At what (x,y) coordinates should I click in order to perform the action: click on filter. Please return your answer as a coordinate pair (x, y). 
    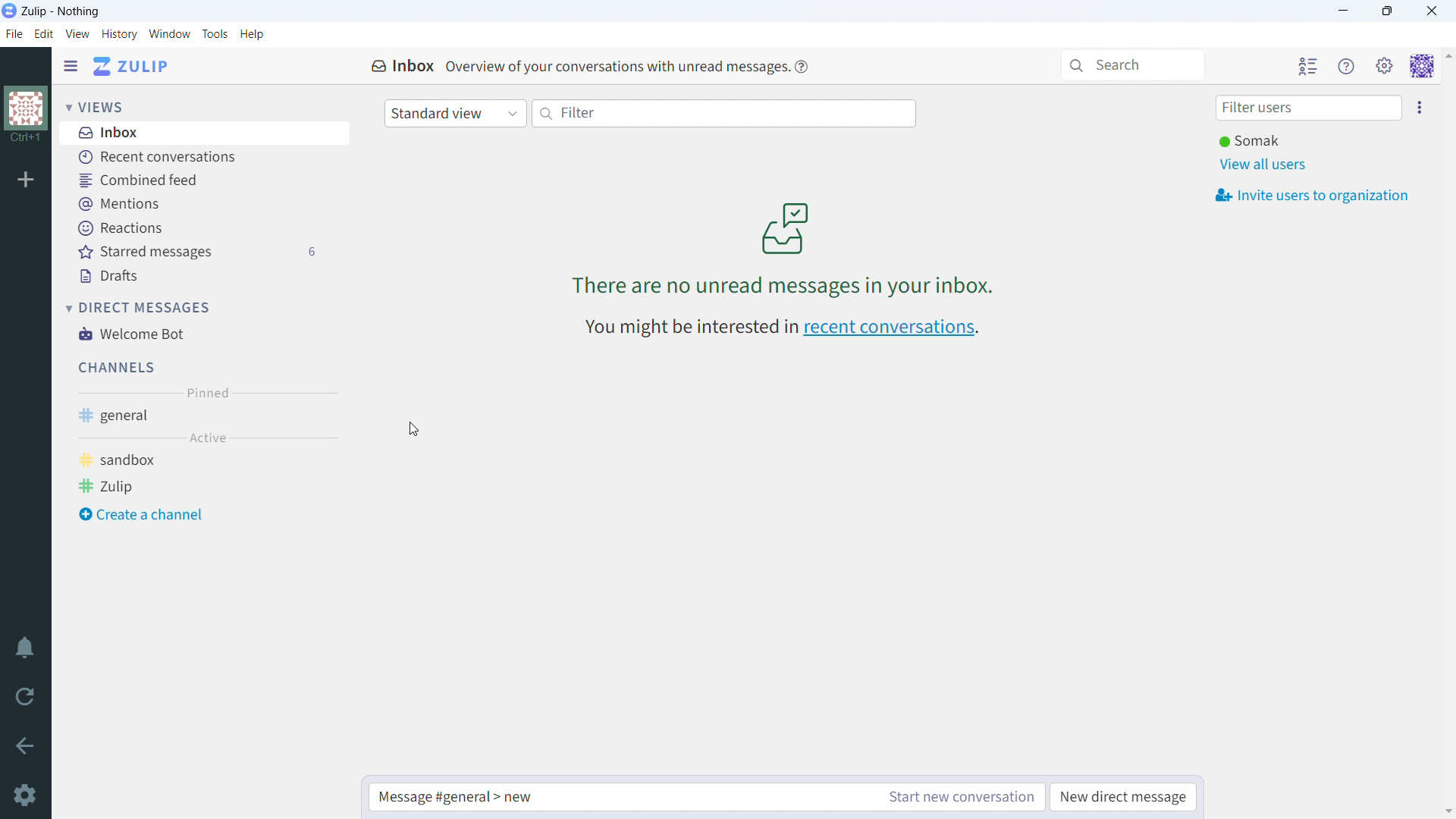
    Looking at the image, I should click on (726, 114).